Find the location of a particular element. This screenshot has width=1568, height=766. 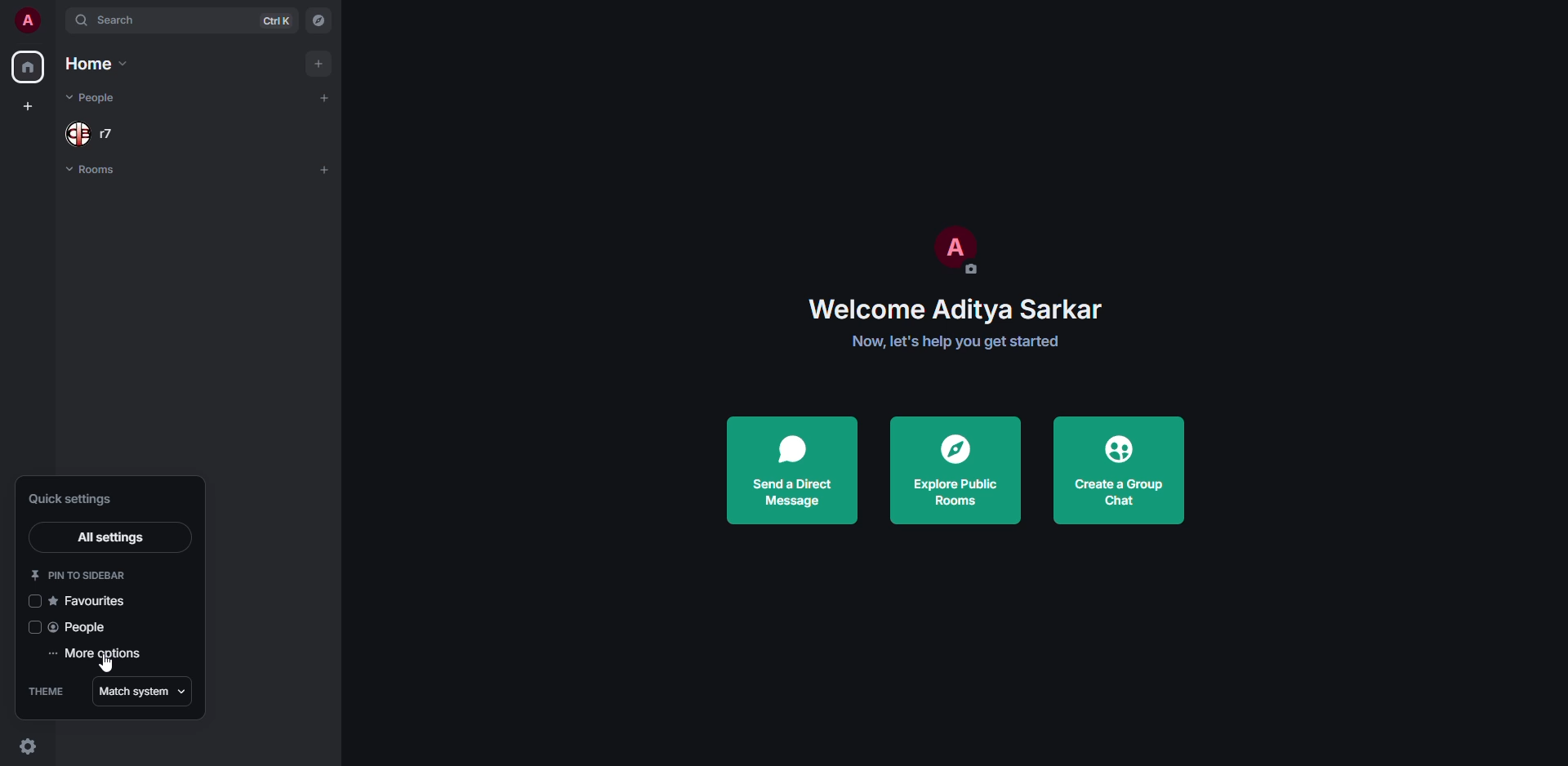

pin to sidebar is located at coordinates (79, 572).